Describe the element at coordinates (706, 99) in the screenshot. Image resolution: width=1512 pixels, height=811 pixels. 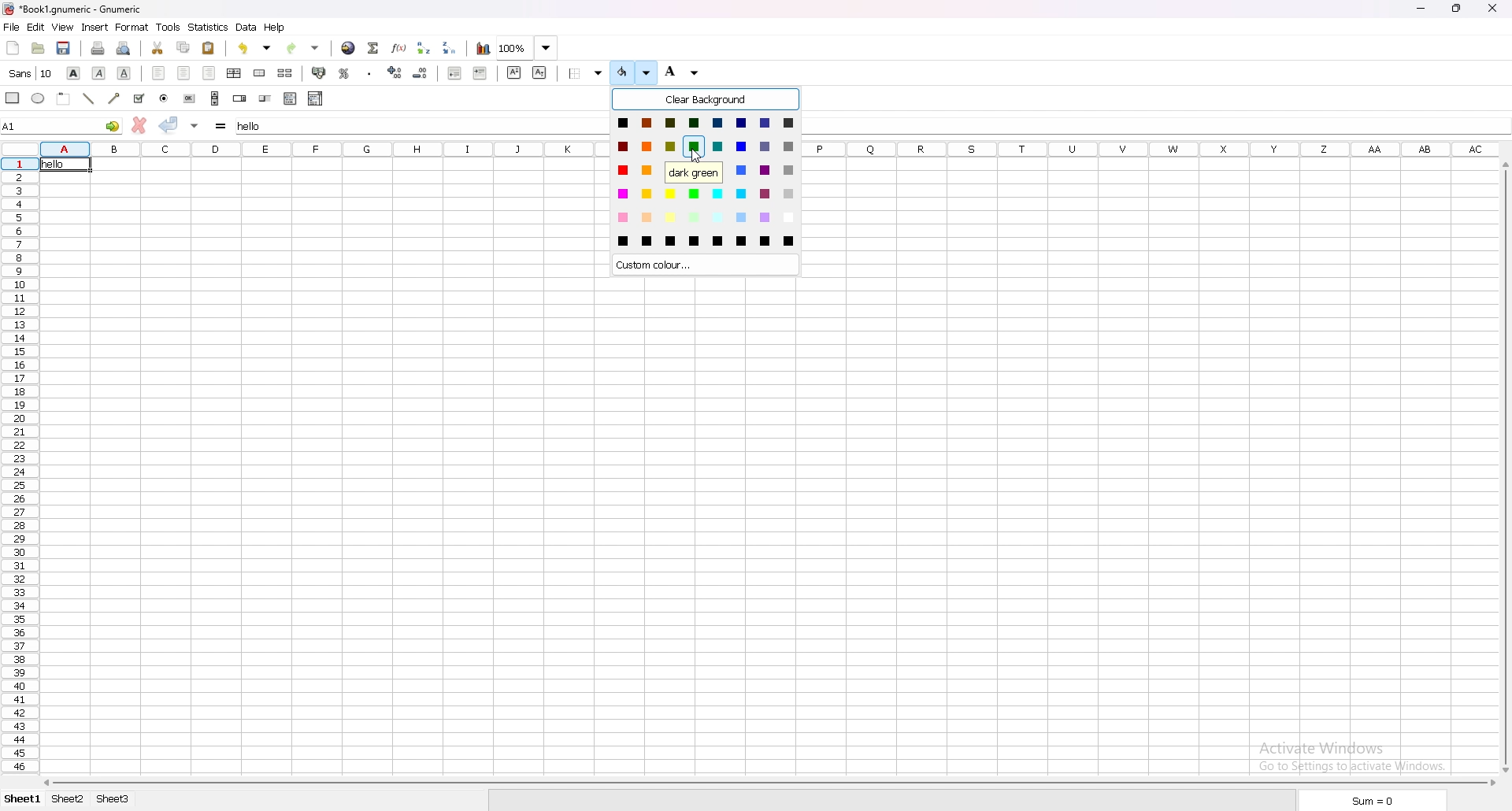
I see `clear background` at that location.